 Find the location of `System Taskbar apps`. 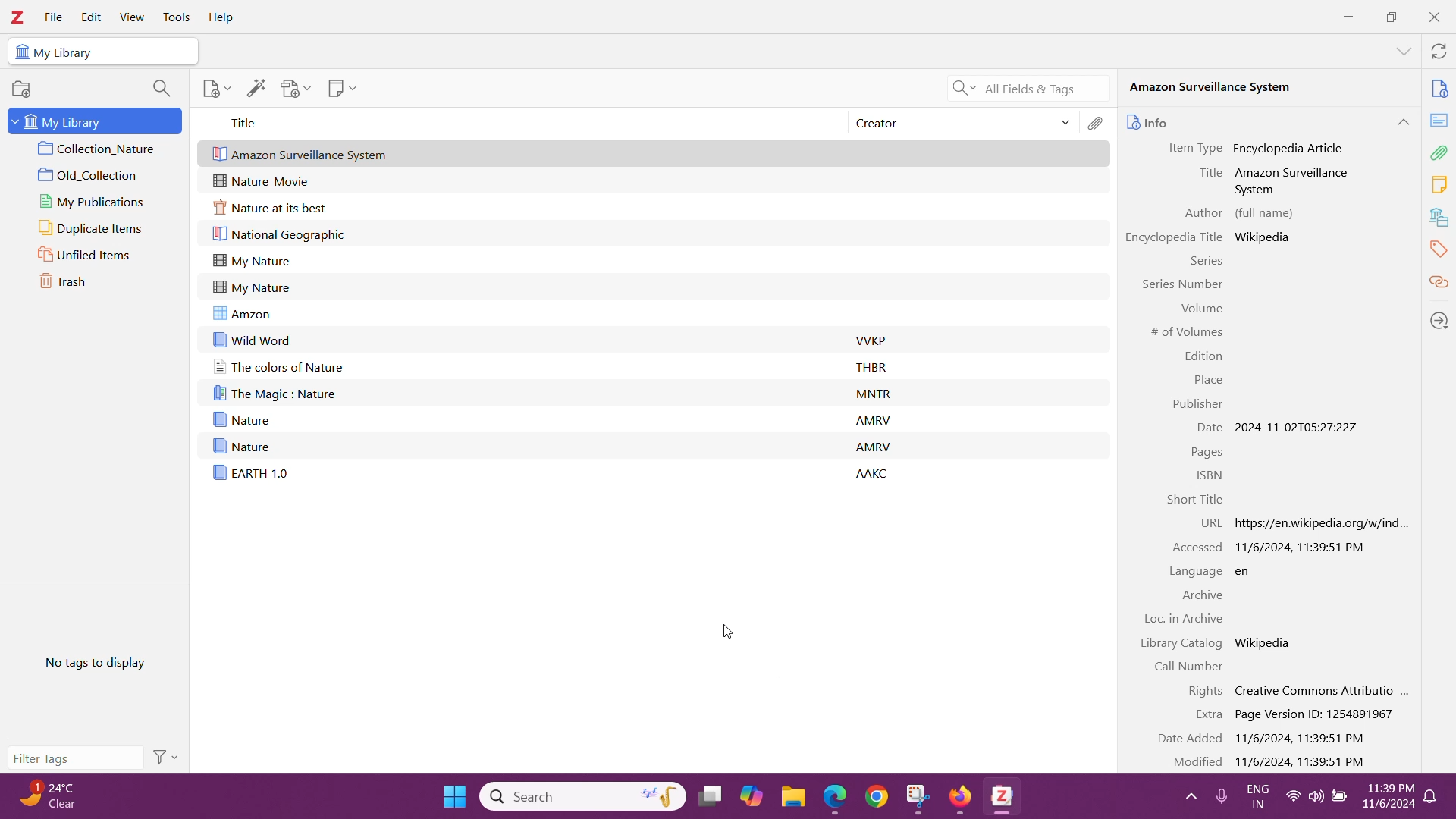

System Taskbar apps is located at coordinates (733, 795).